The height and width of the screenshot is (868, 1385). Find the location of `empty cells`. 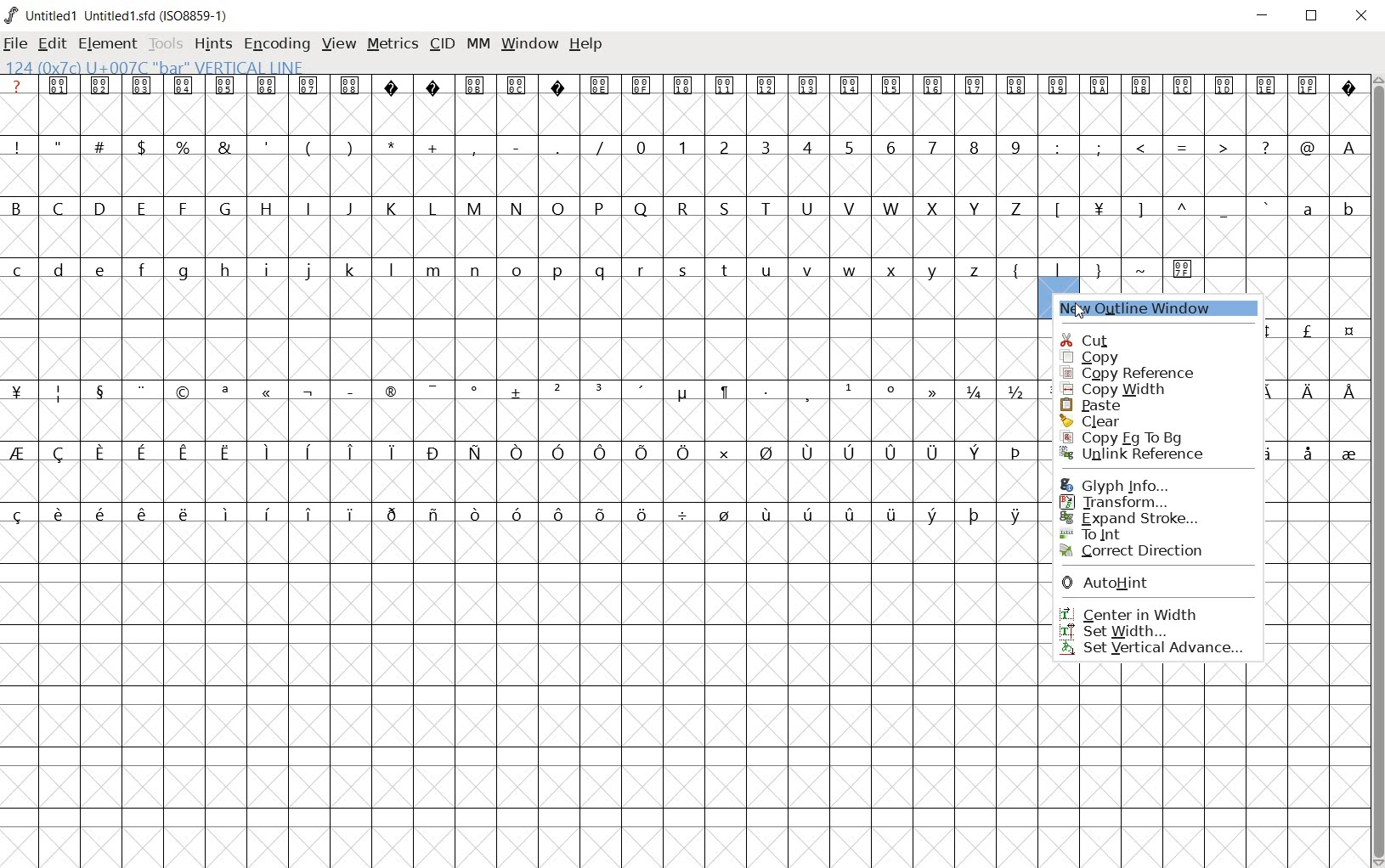

empty cells is located at coordinates (1321, 663).